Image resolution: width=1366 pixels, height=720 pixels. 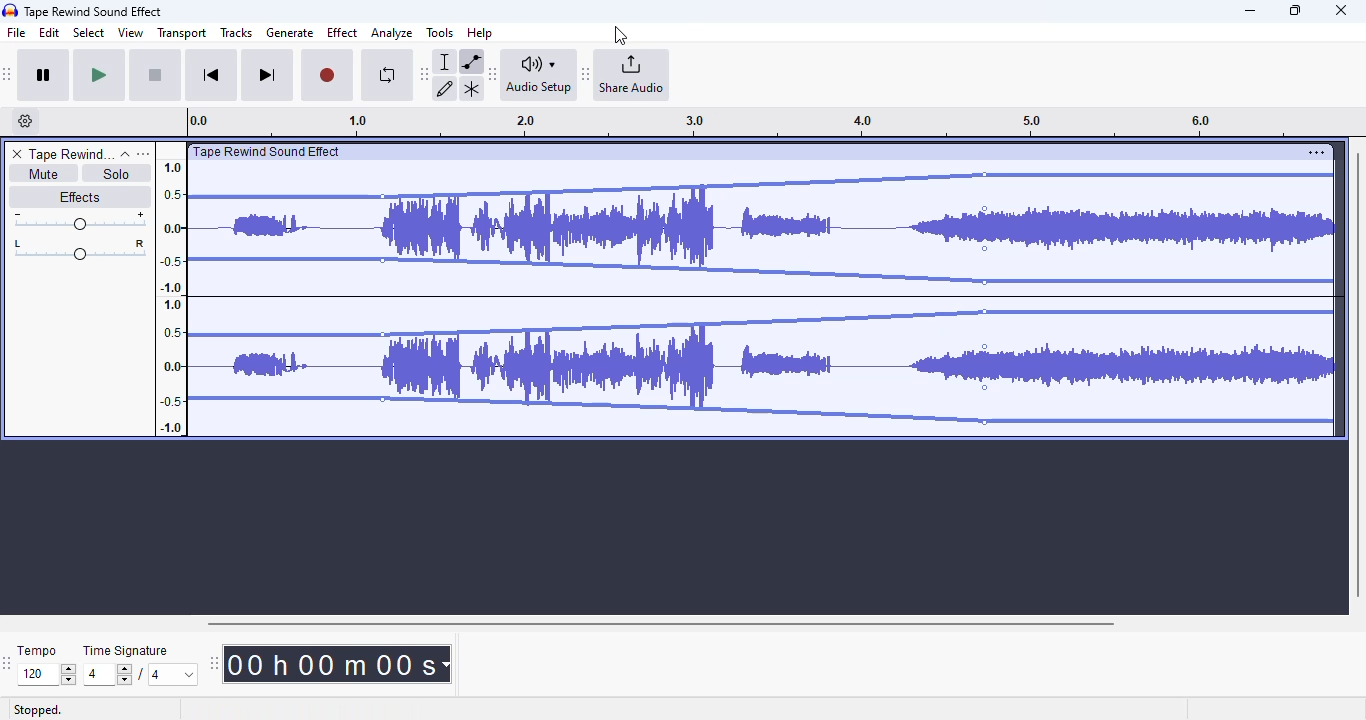 What do you see at coordinates (985, 422) in the screenshot?
I see `Control point` at bounding box center [985, 422].